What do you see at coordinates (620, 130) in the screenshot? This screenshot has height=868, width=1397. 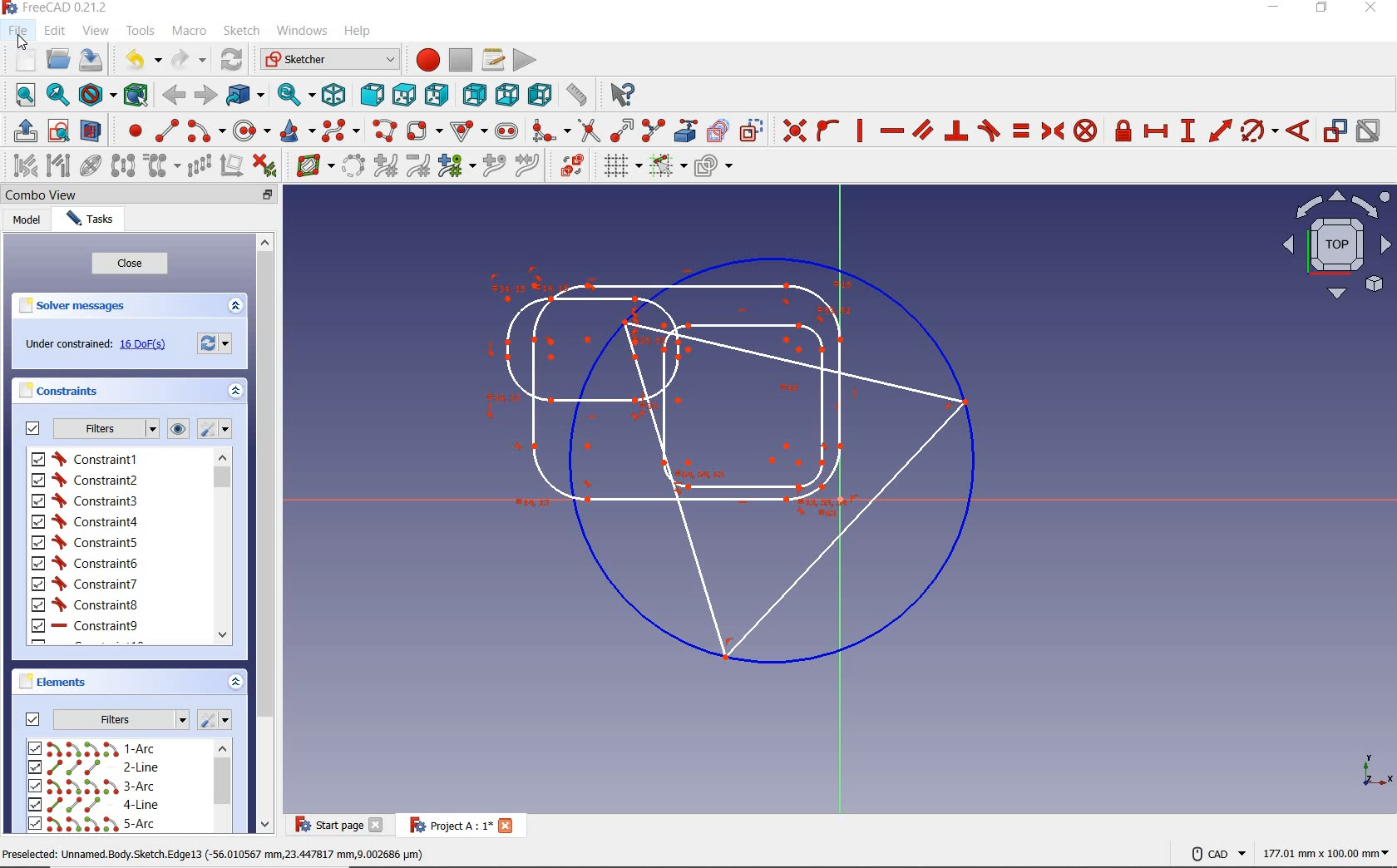 I see `extend edge` at bounding box center [620, 130].